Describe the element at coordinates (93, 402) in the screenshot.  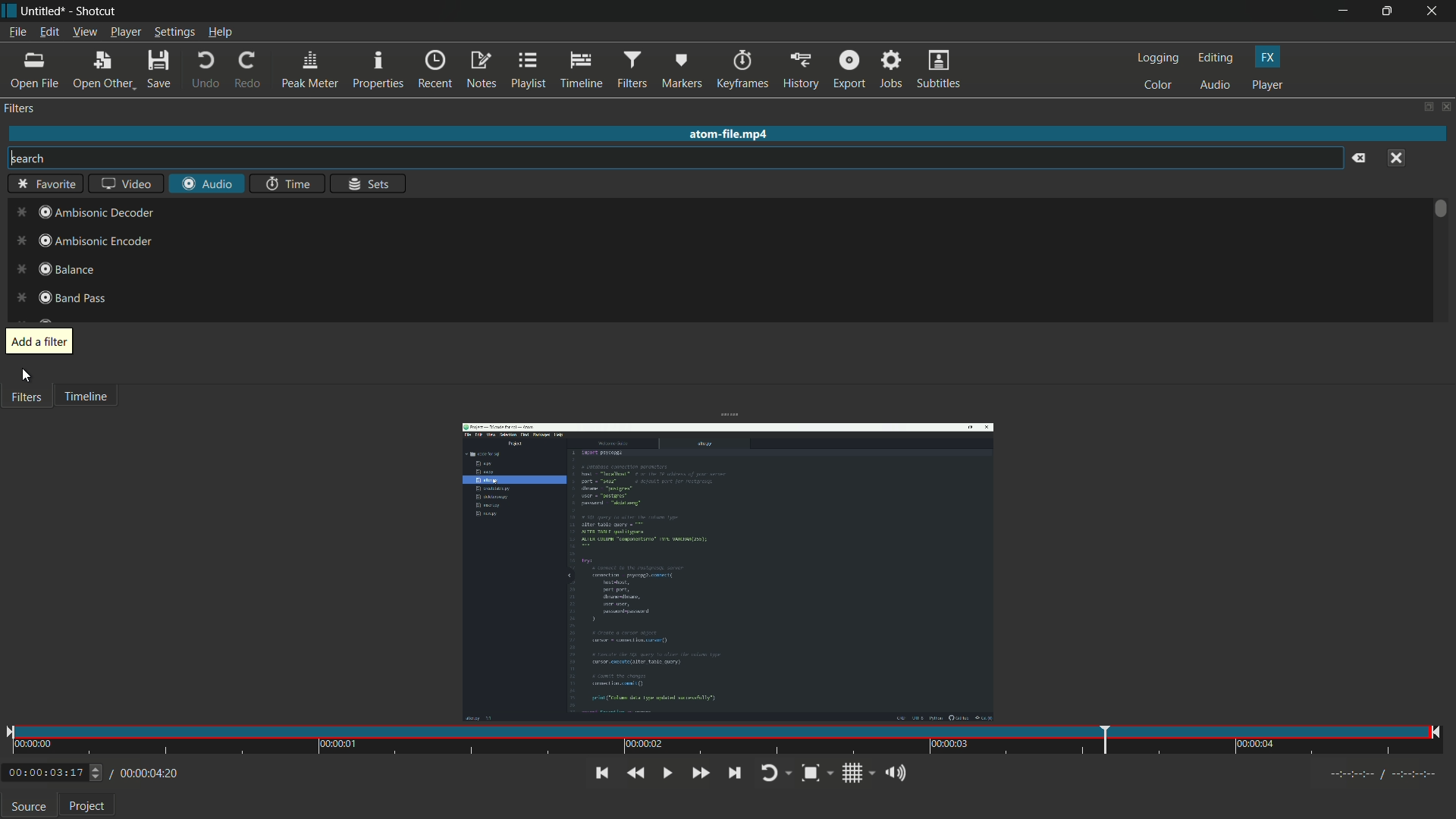
I see `Timeline` at that location.